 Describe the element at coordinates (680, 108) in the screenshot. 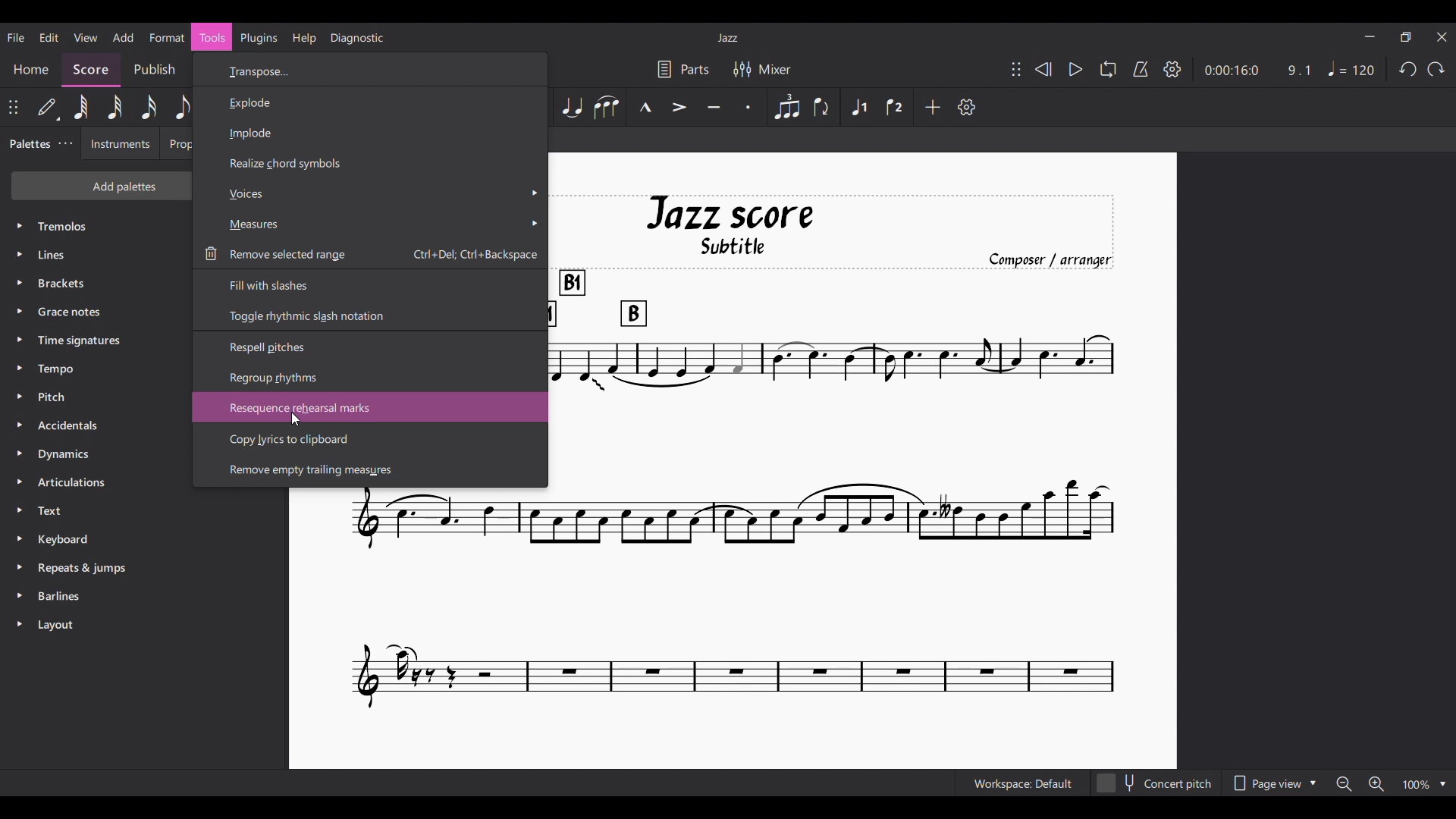

I see `Accent` at that location.